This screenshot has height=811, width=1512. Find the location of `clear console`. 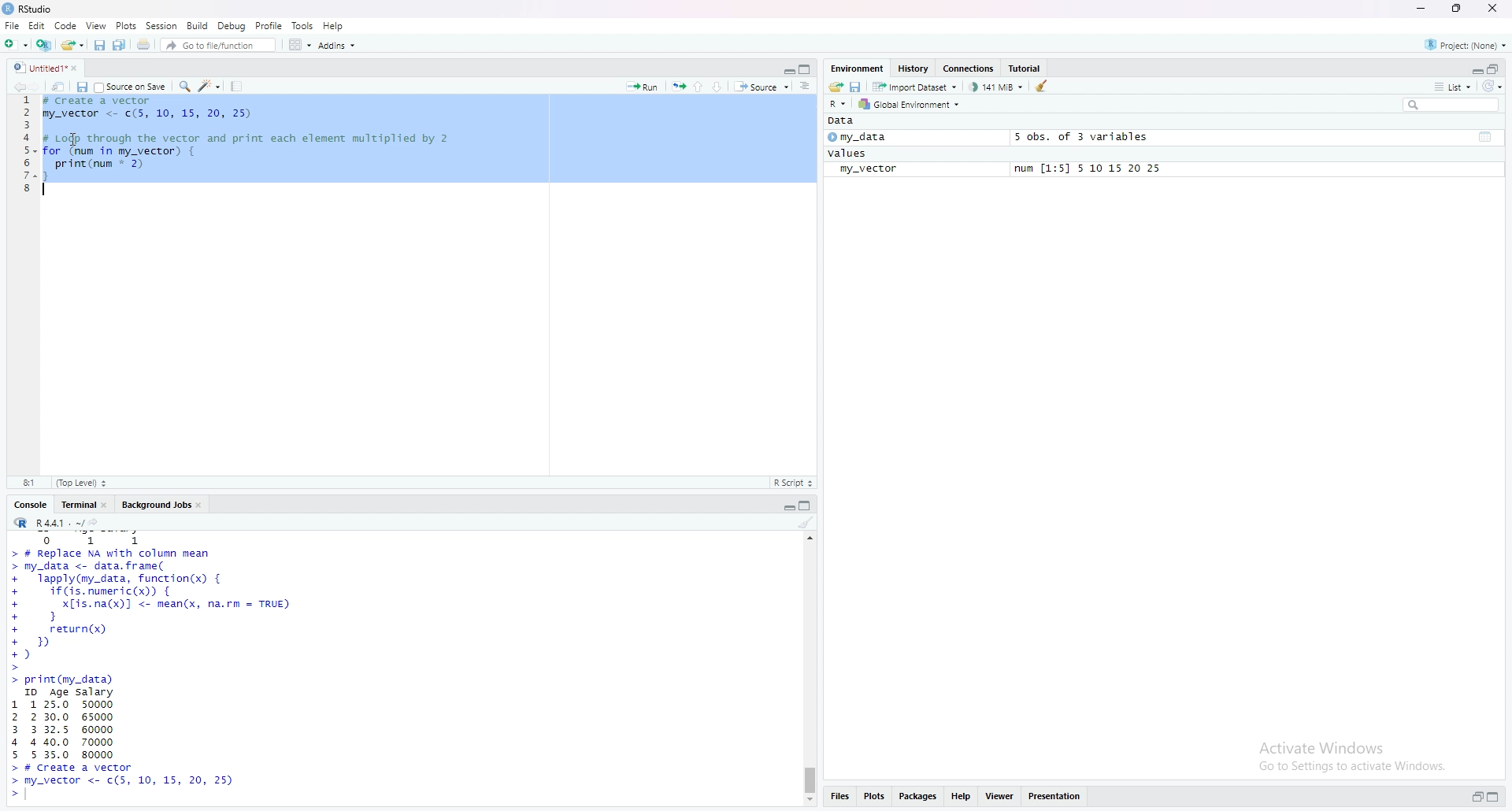

clear console is located at coordinates (806, 523).